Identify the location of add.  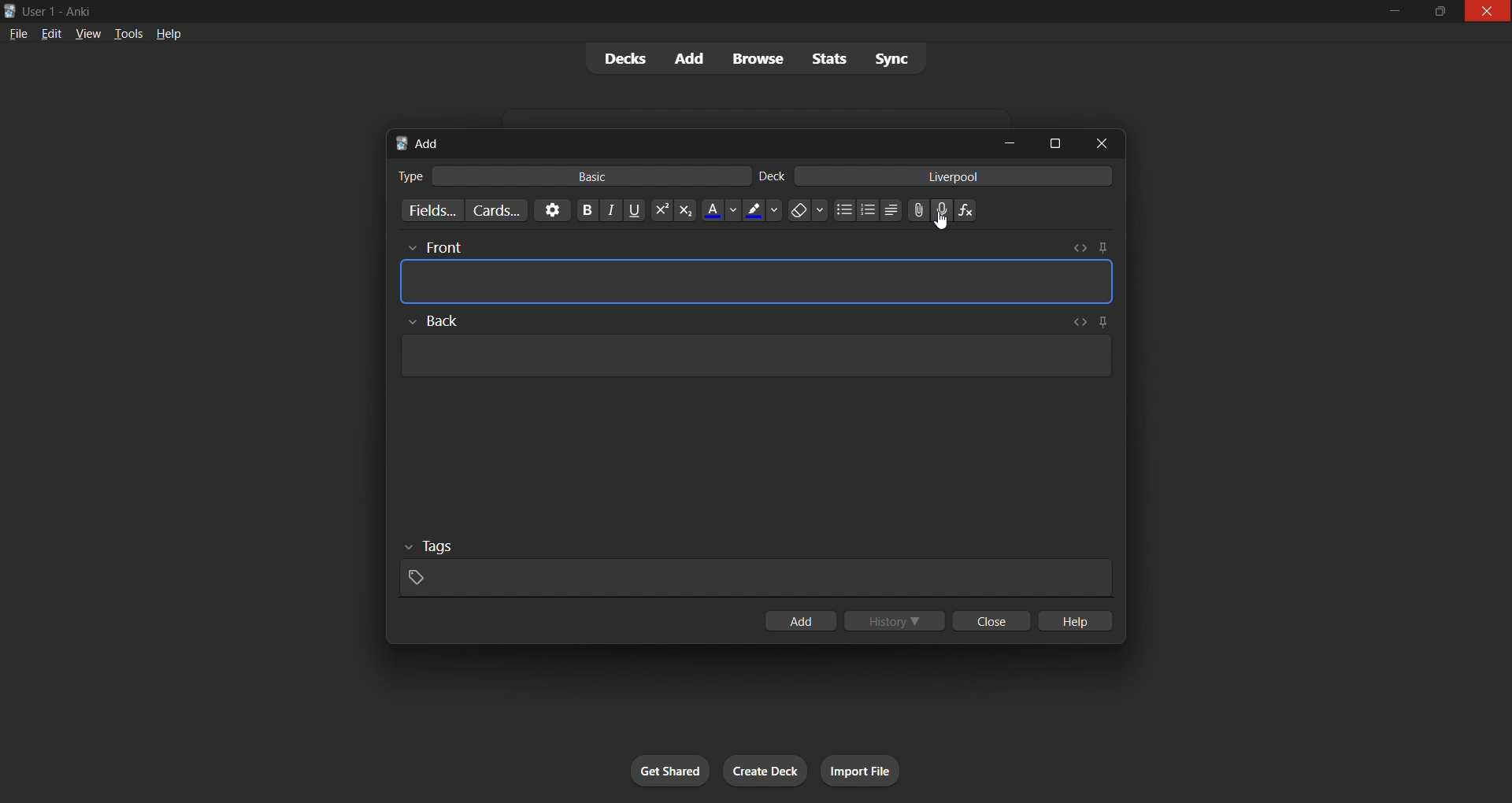
(799, 619).